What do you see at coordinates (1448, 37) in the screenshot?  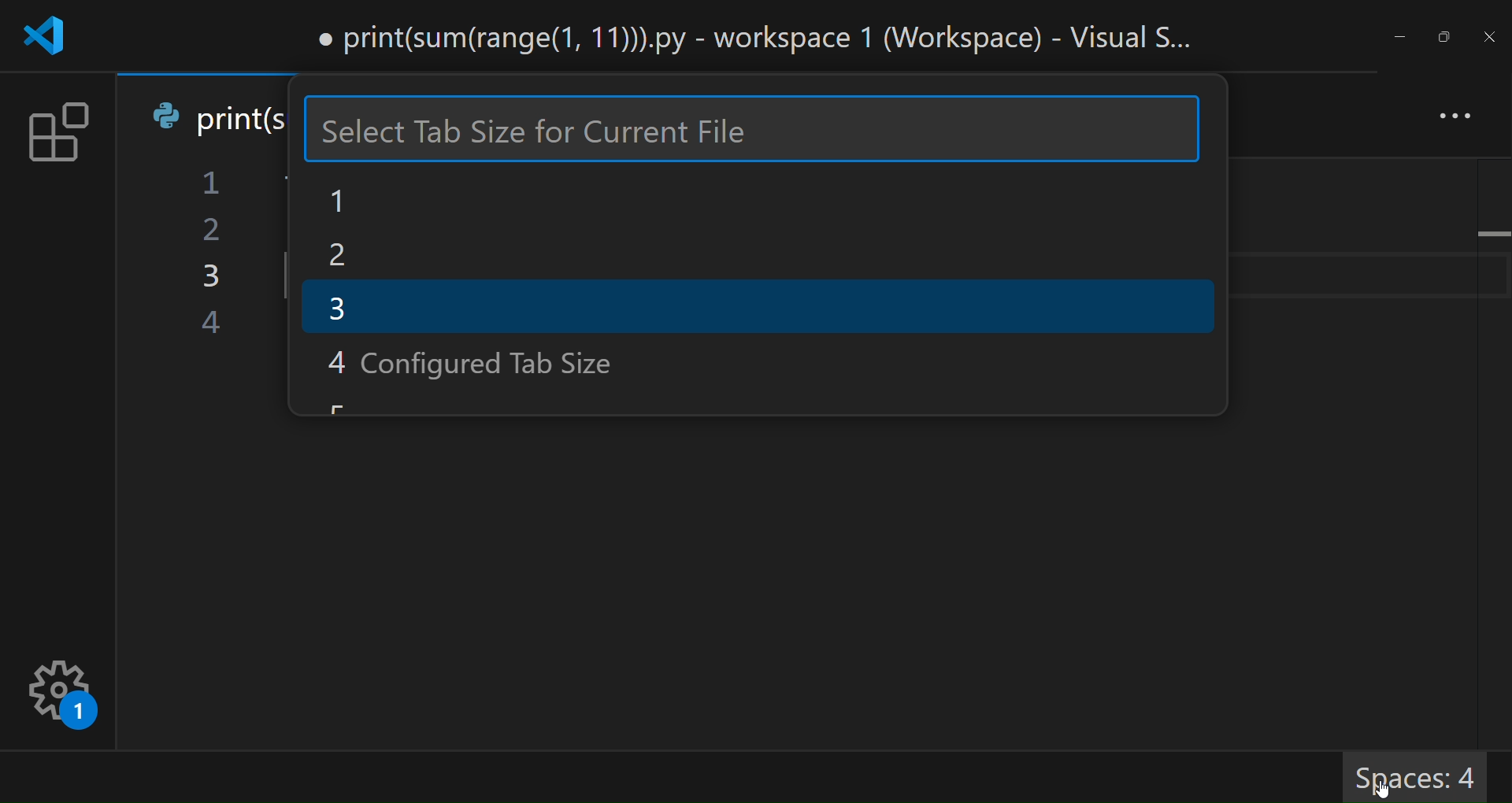 I see `maximize` at bounding box center [1448, 37].